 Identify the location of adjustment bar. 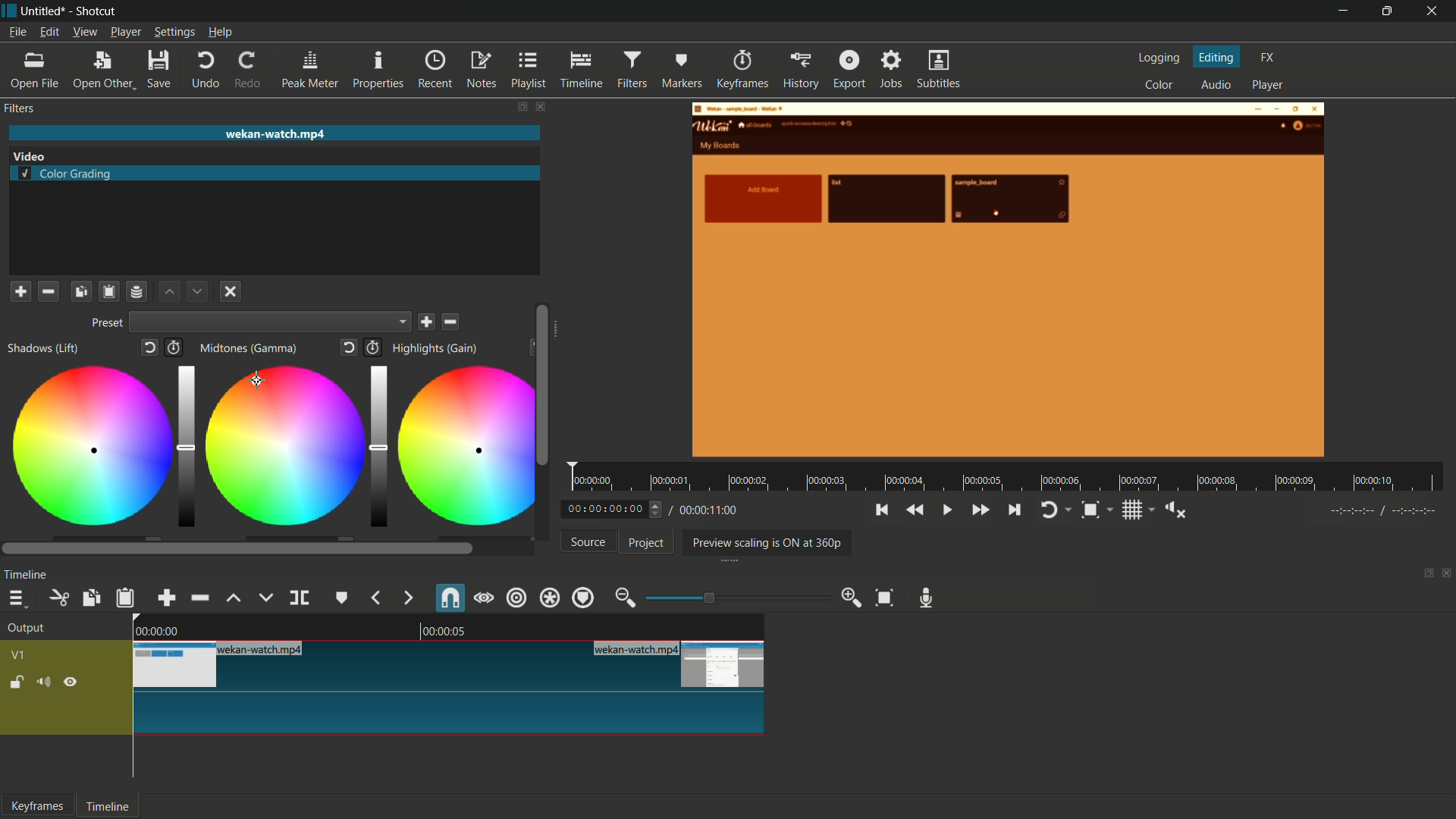
(732, 598).